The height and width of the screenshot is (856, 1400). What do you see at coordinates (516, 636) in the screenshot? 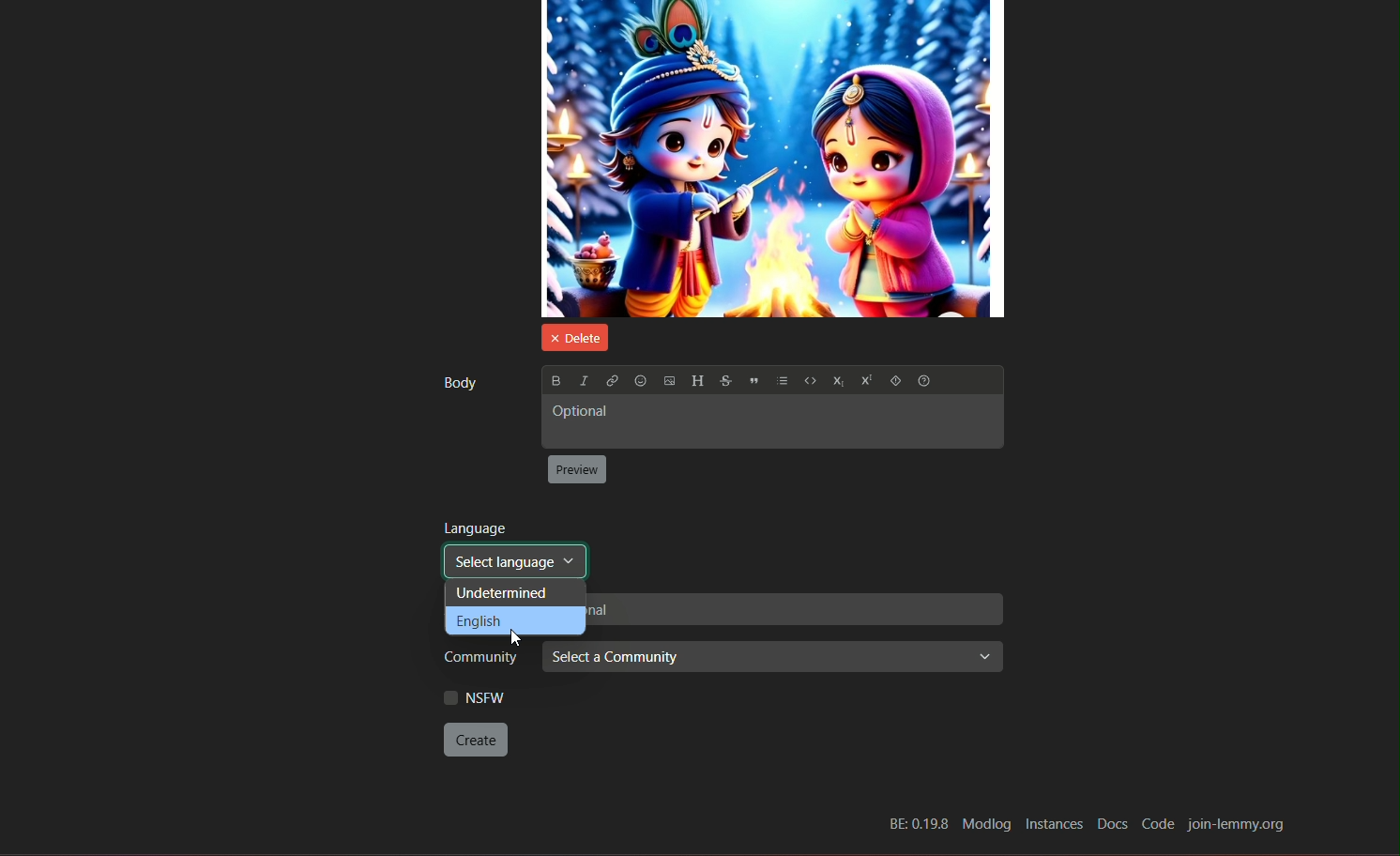
I see `Cursor` at bounding box center [516, 636].